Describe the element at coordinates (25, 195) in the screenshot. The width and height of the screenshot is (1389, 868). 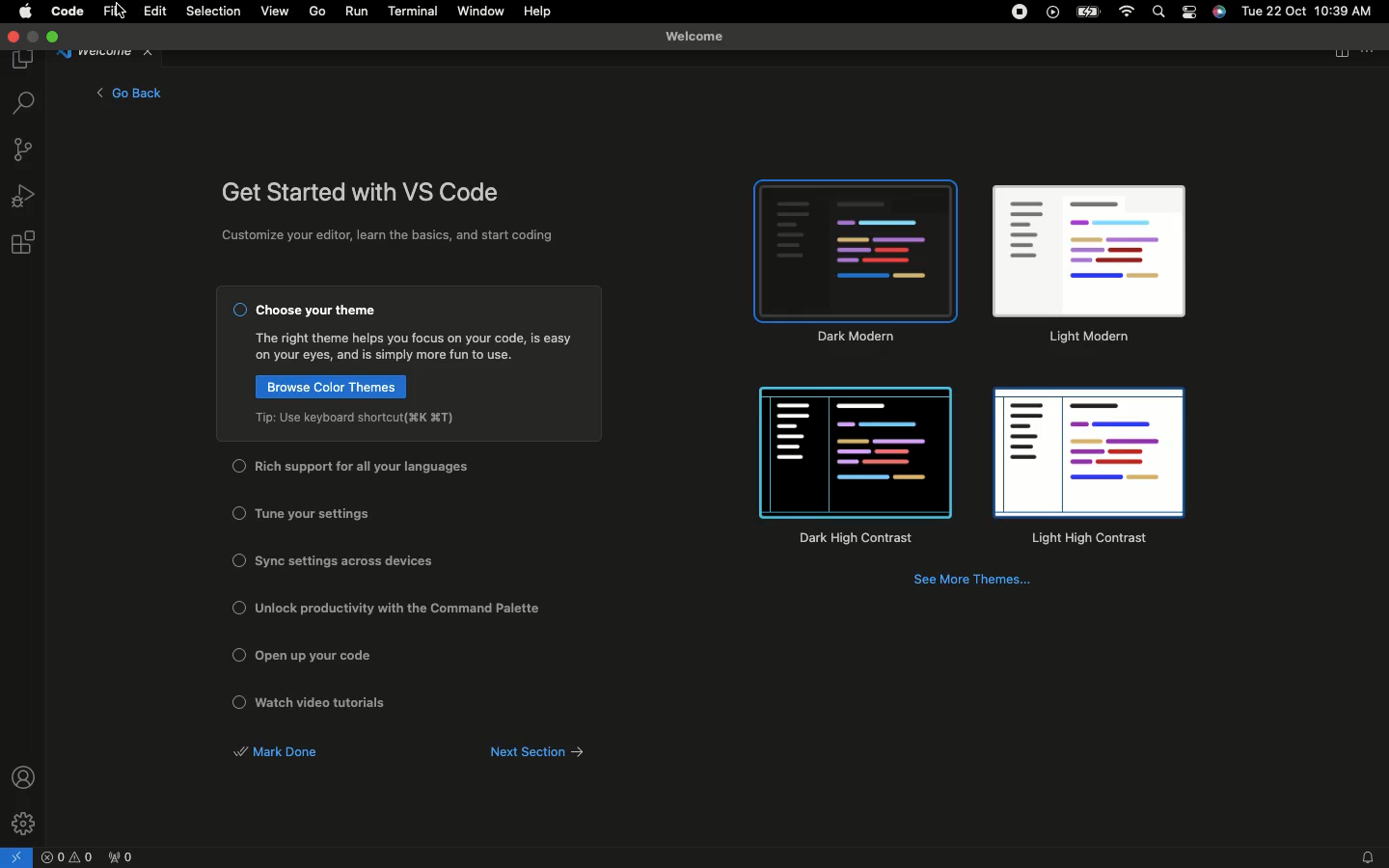
I see `Run and debug` at that location.